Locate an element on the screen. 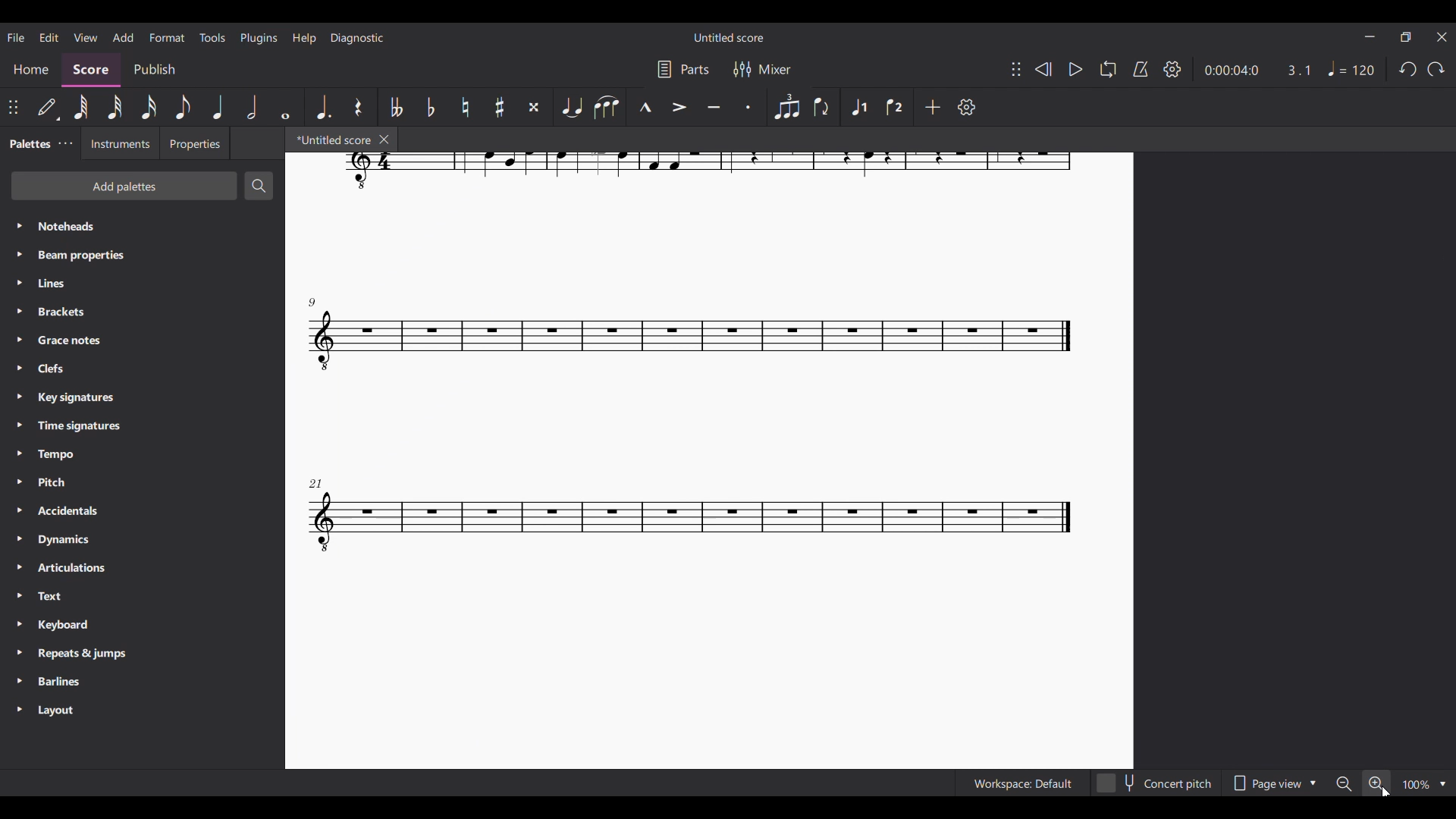  Barlines is located at coordinates (142, 681).